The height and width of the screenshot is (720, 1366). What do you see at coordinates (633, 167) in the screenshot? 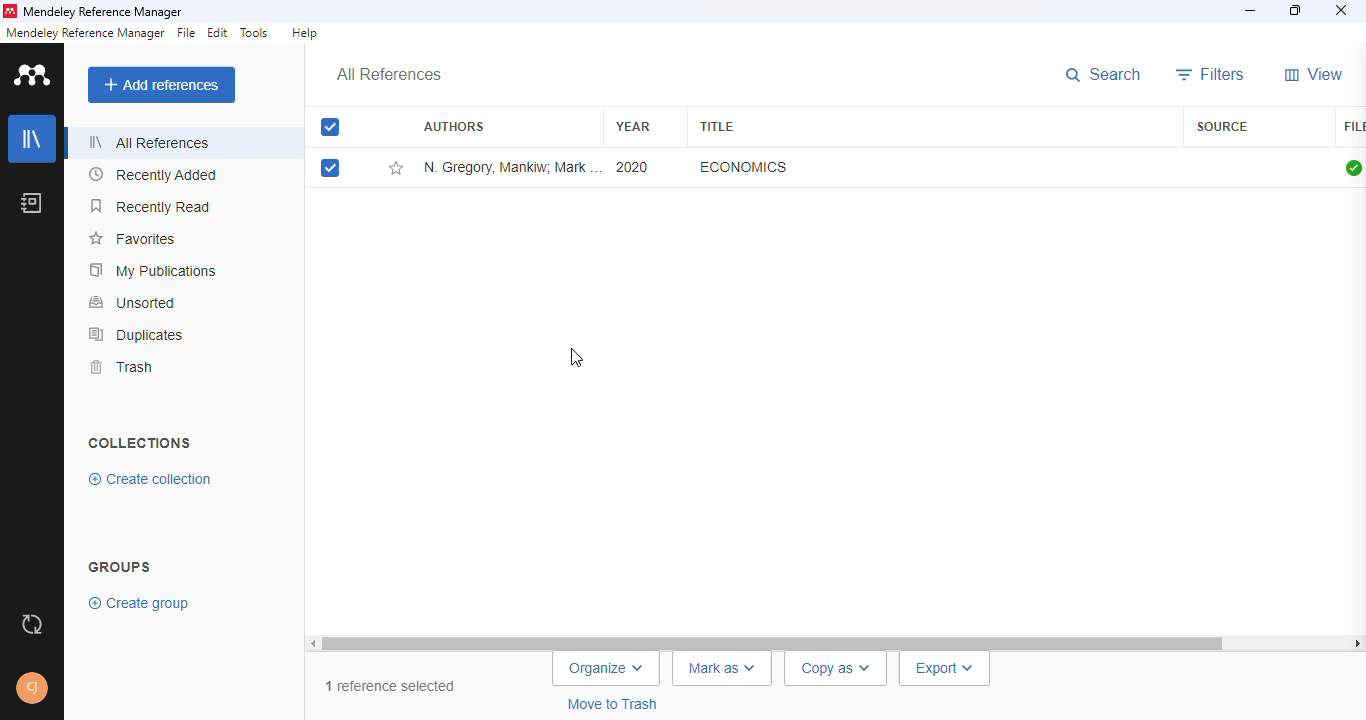
I see `2020` at bounding box center [633, 167].